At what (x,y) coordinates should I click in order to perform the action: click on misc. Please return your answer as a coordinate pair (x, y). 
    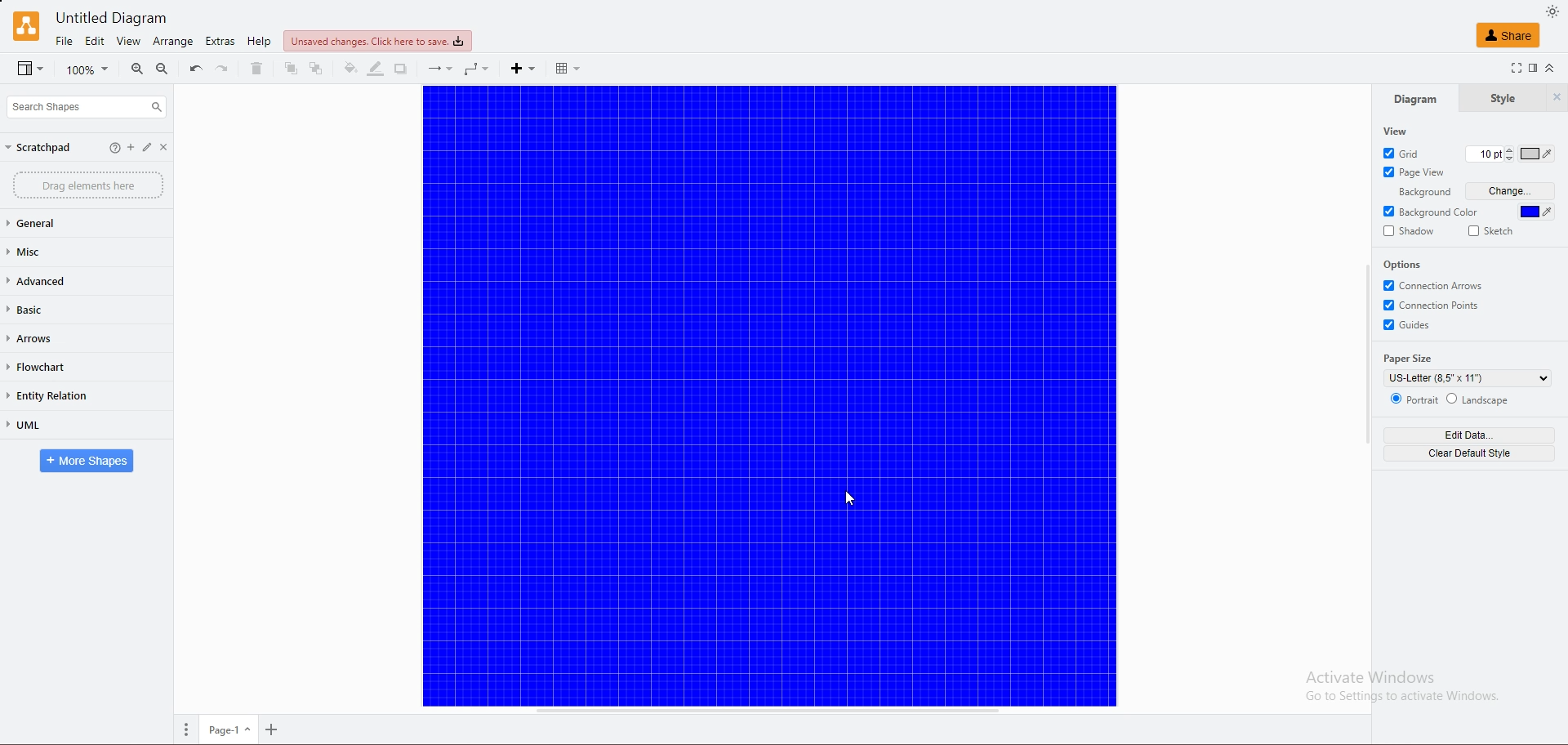
    Looking at the image, I should click on (67, 252).